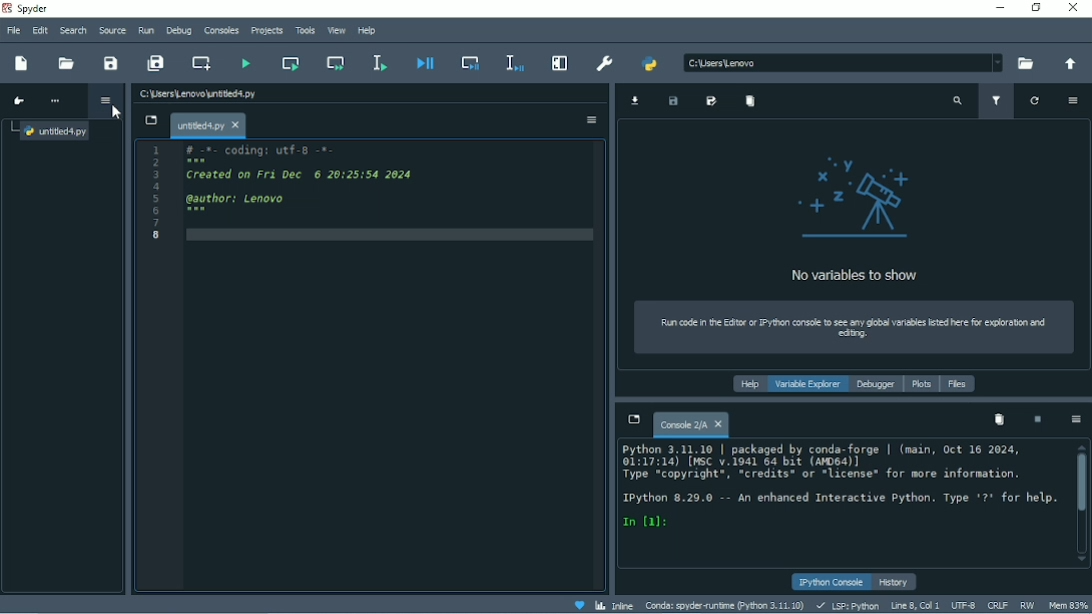 This screenshot has height=614, width=1092. Describe the element at coordinates (110, 64) in the screenshot. I see `Save file` at that location.